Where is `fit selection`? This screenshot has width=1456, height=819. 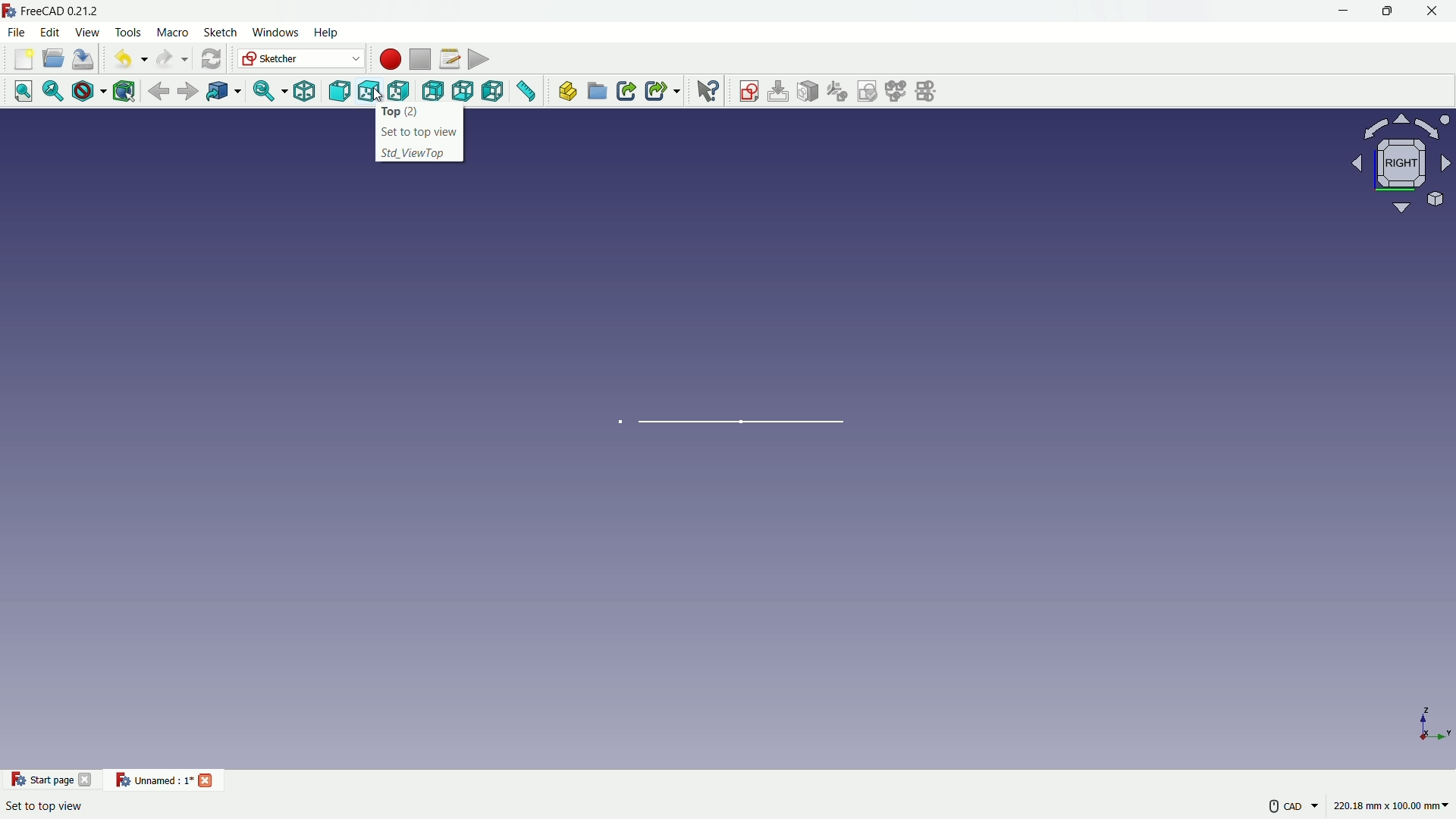
fit selection is located at coordinates (53, 92).